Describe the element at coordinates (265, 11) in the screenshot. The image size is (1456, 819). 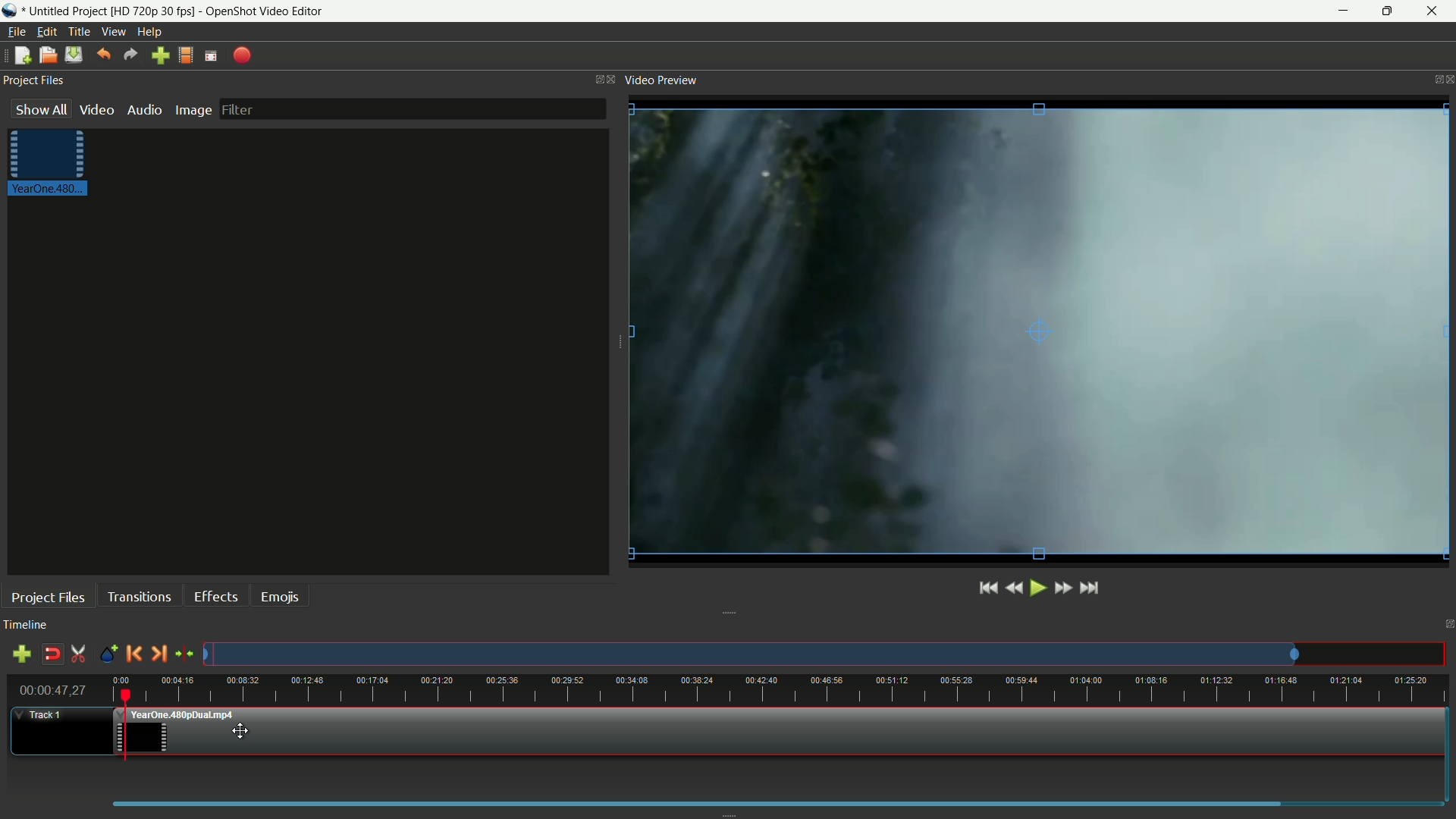
I see `app name` at that location.